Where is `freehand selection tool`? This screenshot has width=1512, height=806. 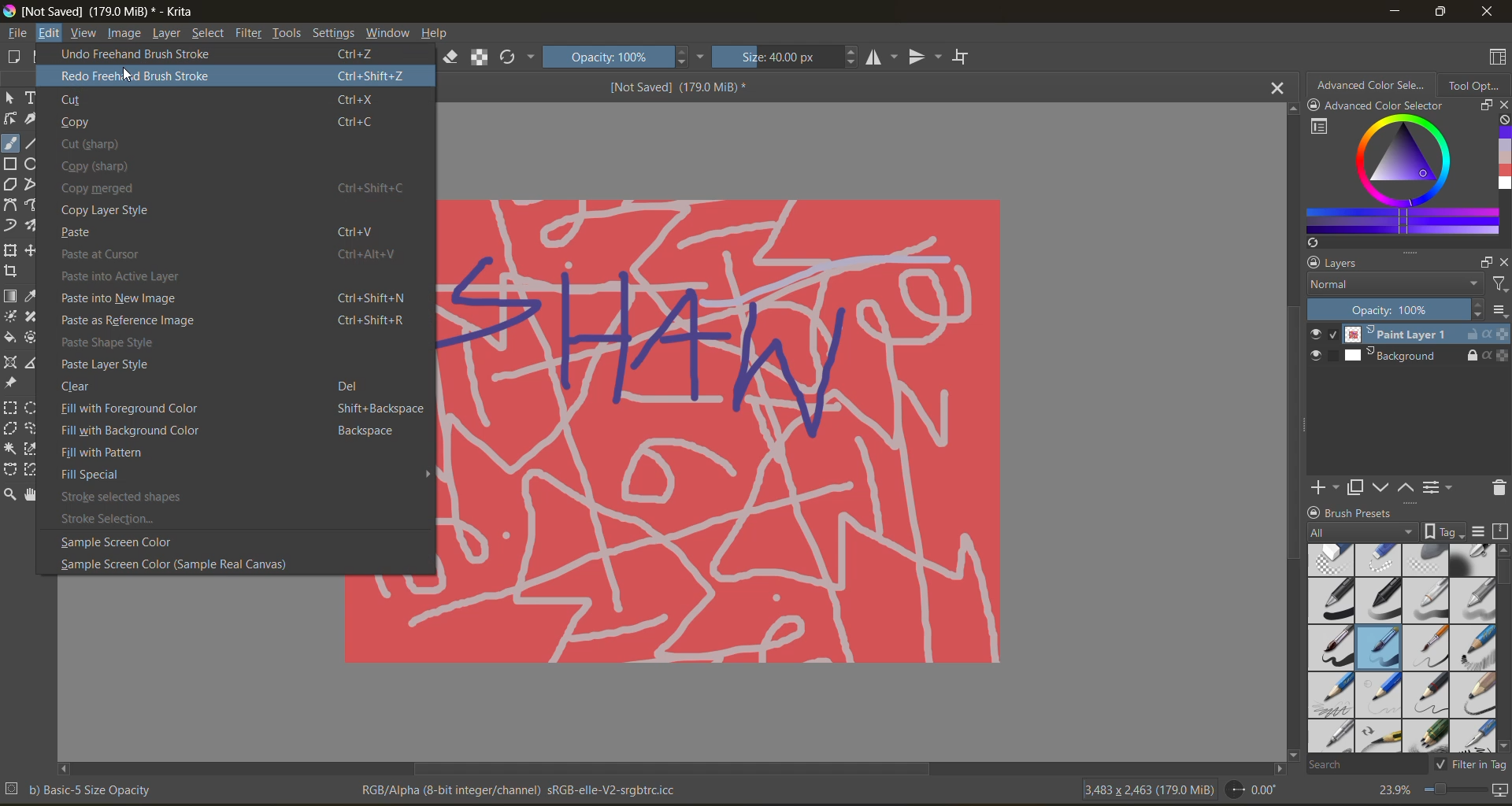
freehand selection tool is located at coordinates (35, 428).